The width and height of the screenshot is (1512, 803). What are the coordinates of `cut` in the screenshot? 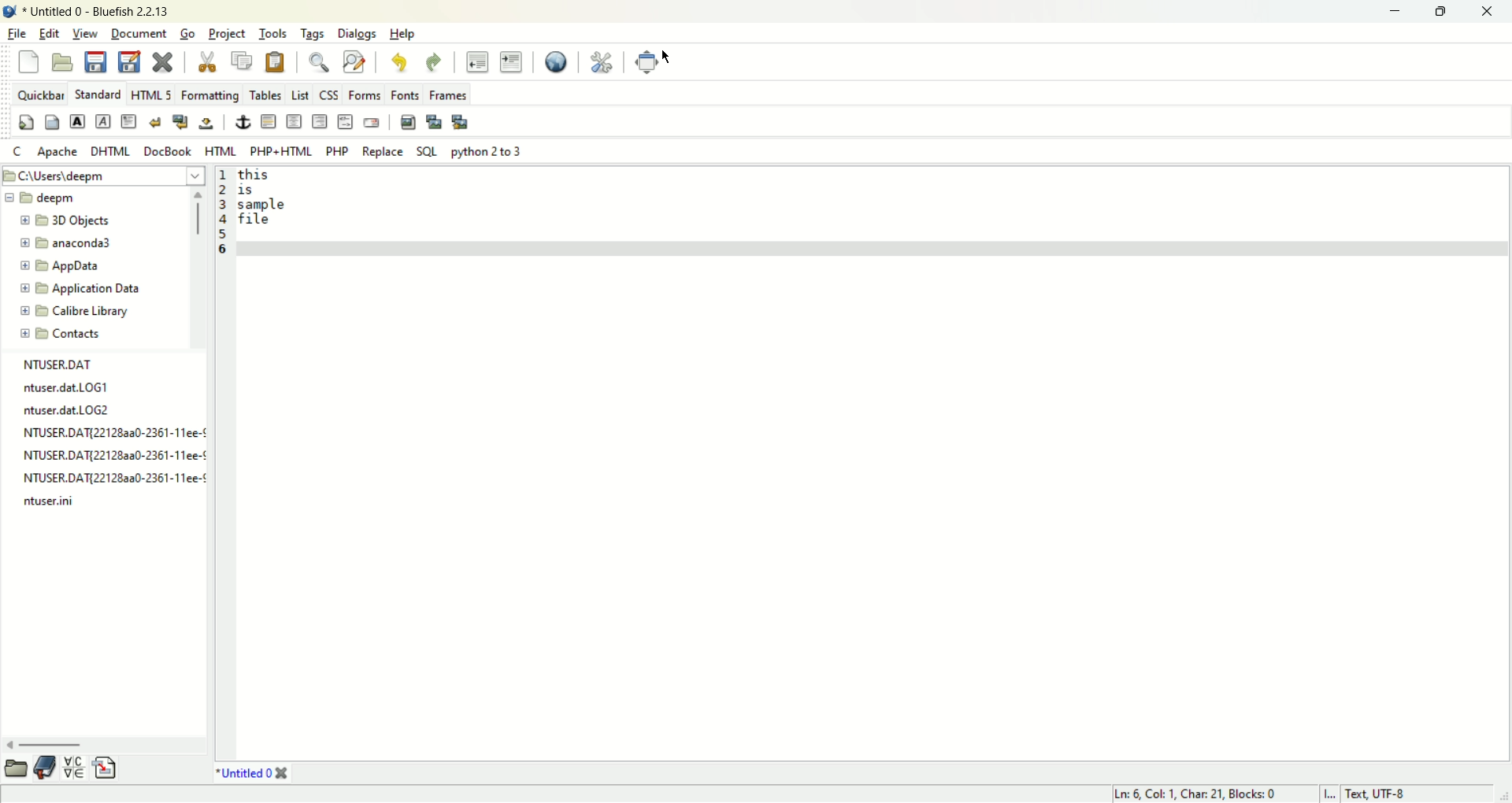 It's located at (207, 60).